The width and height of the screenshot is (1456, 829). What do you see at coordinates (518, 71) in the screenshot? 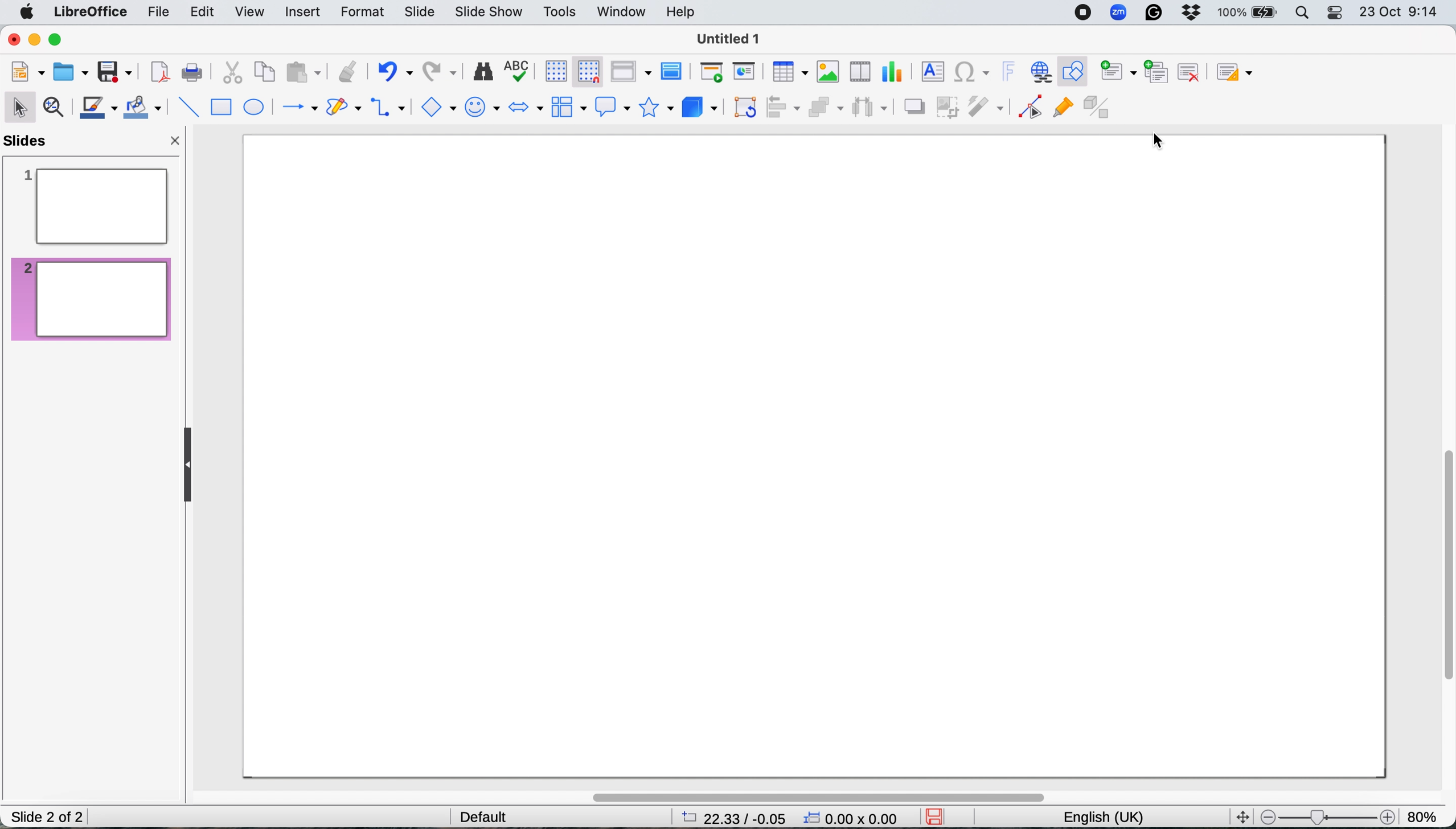
I see `spelling` at bounding box center [518, 71].